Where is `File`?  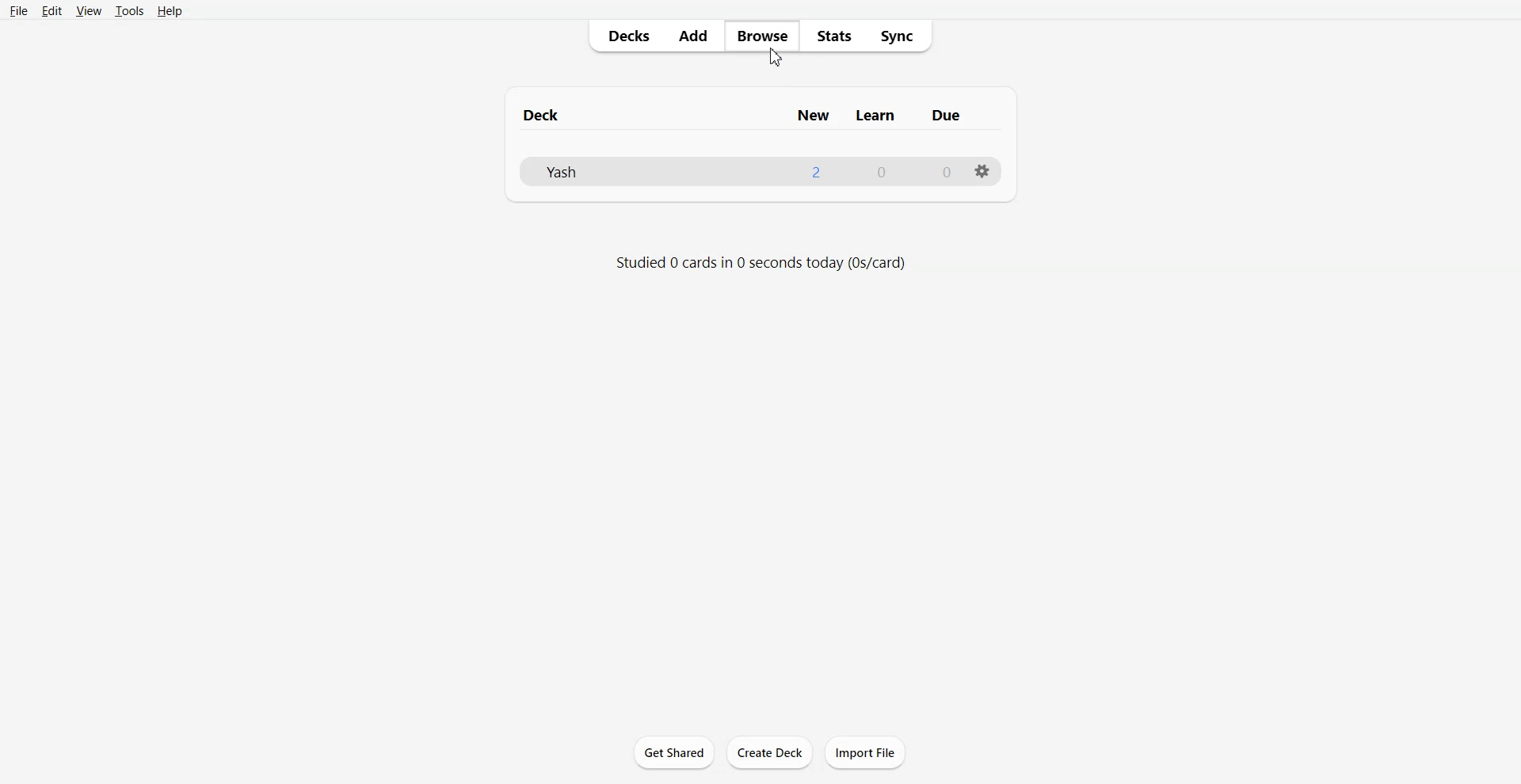
File is located at coordinates (19, 10).